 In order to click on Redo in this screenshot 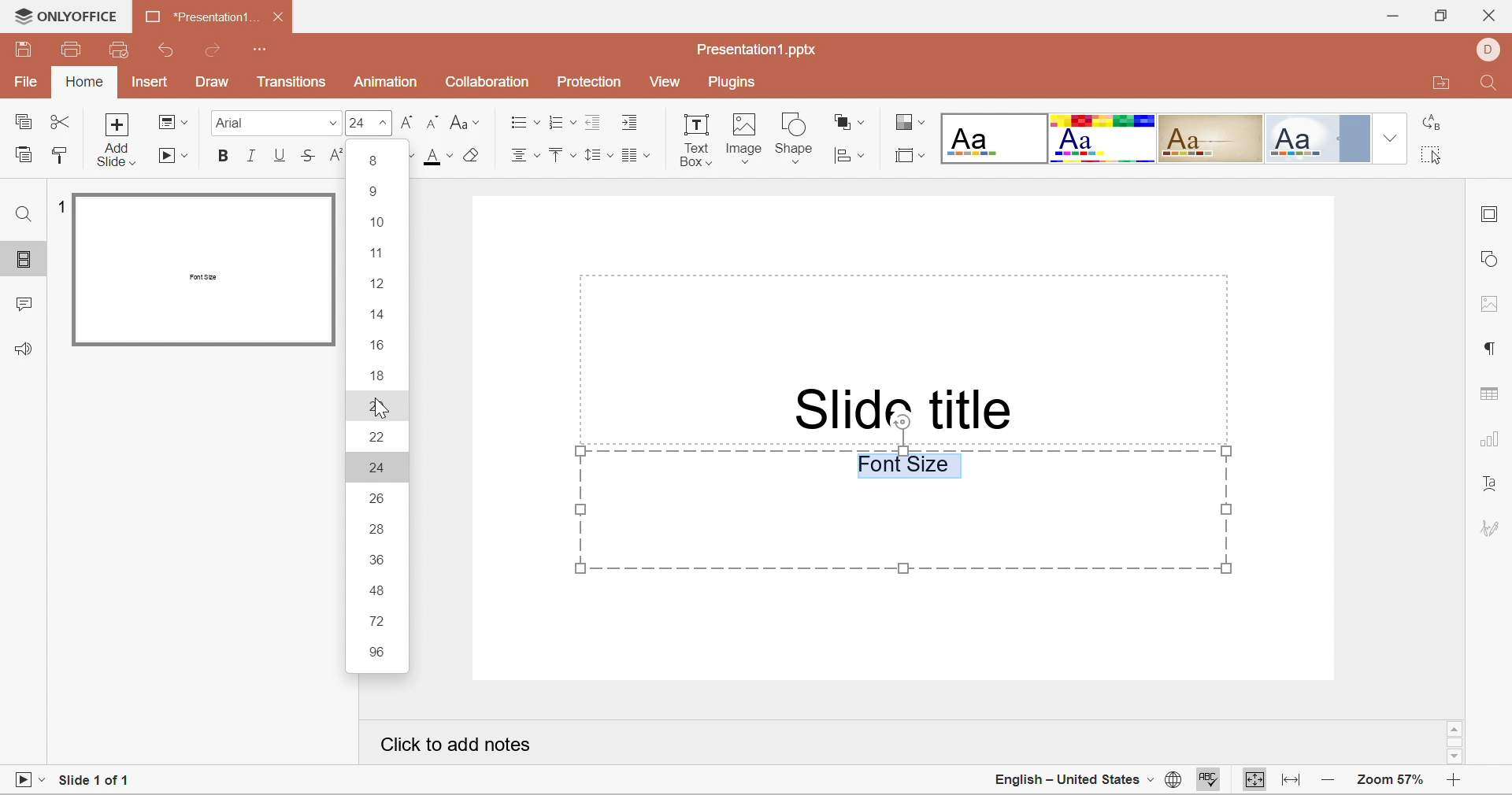, I will do `click(217, 50)`.